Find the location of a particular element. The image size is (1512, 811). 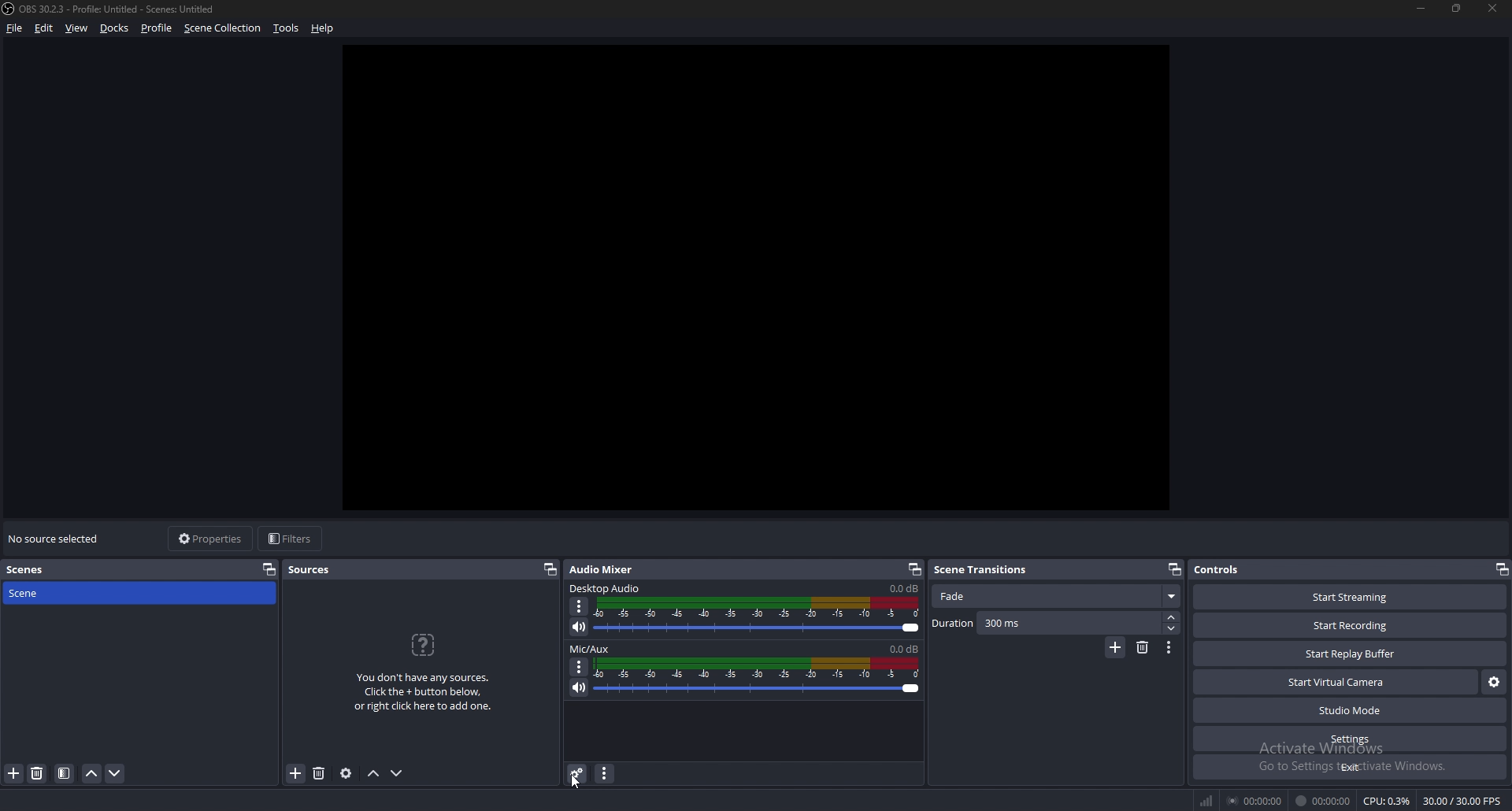

volume adjust is located at coordinates (757, 617).